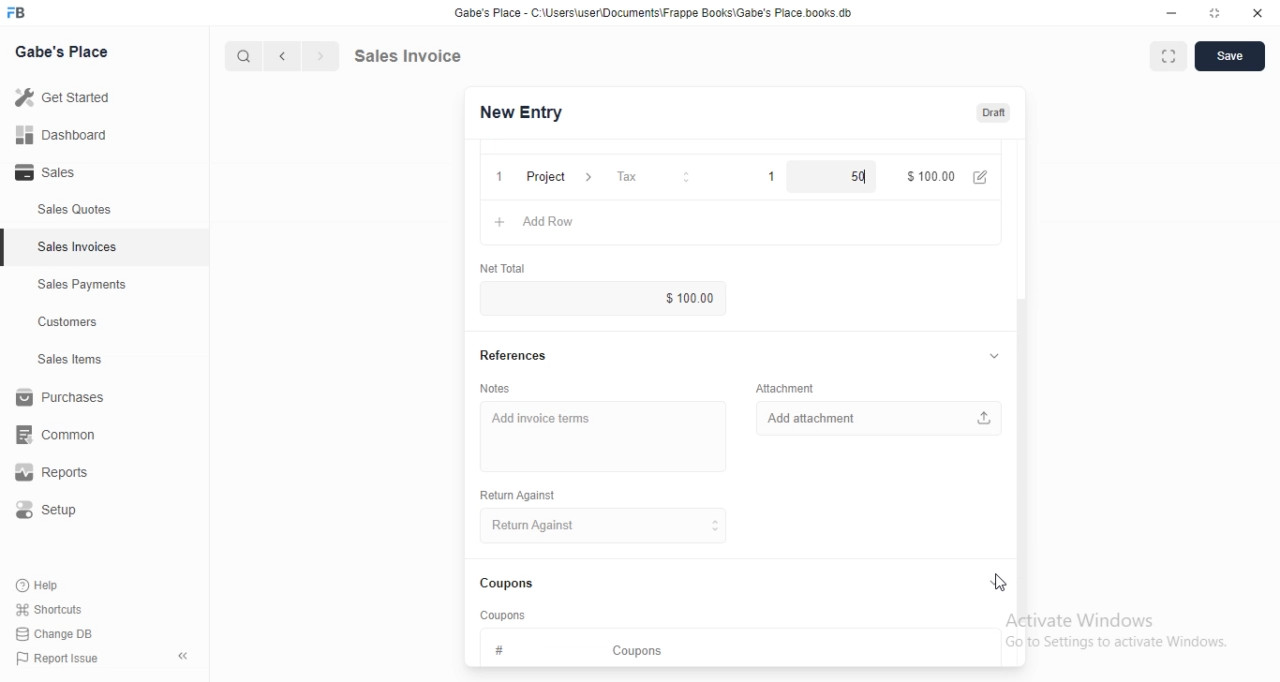 The image size is (1280, 682). Describe the element at coordinates (557, 175) in the screenshot. I see `Project` at that location.